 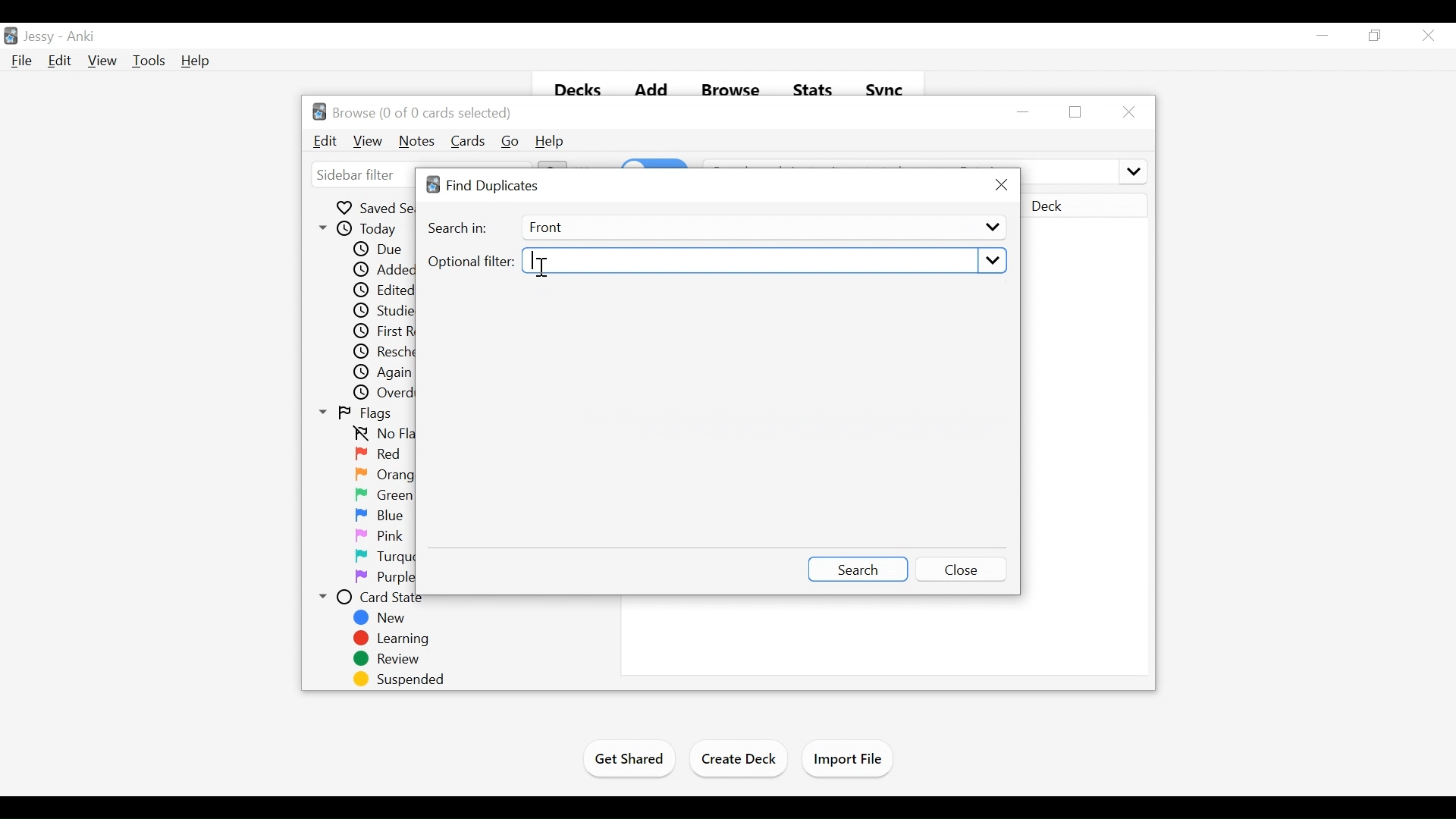 What do you see at coordinates (148, 61) in the screenshot?
I see `Tools` at bounding box center [148, 61].